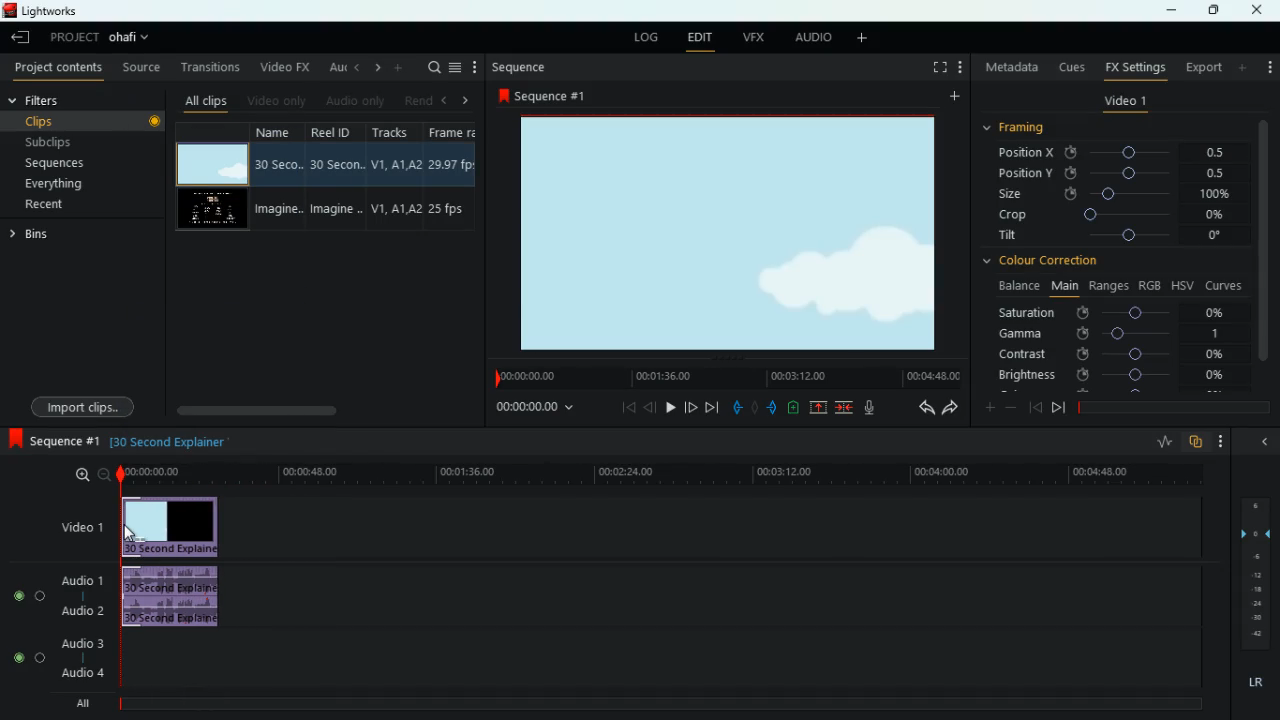 This screenshot has height=720, width=1280. What do you see at coordinates (83, 405) in the screenshot?
I see `import clips` at bounding box center [83, 405].